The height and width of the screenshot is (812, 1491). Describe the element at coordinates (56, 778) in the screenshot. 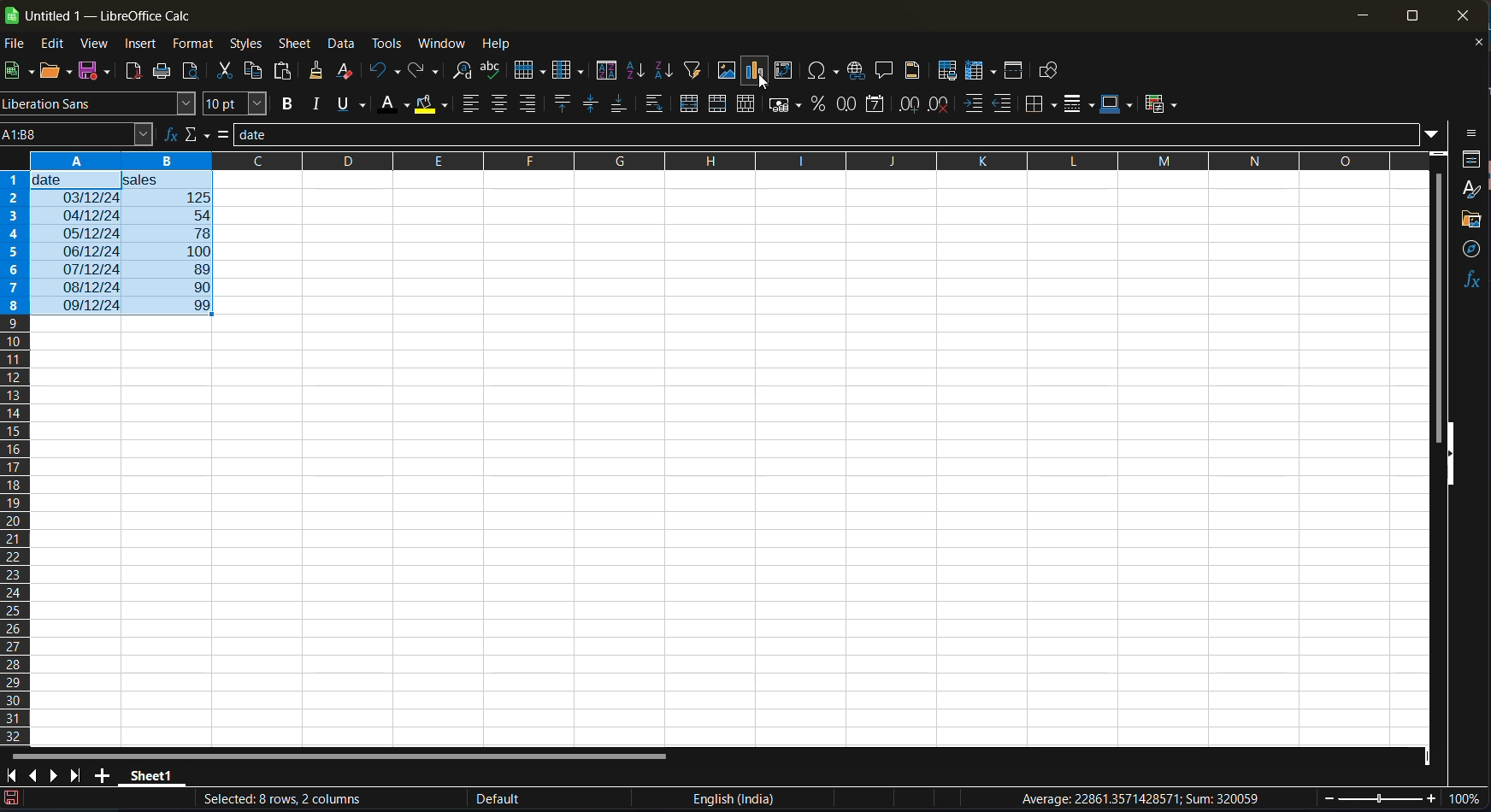

I see `scroll to next sheet` at that location.